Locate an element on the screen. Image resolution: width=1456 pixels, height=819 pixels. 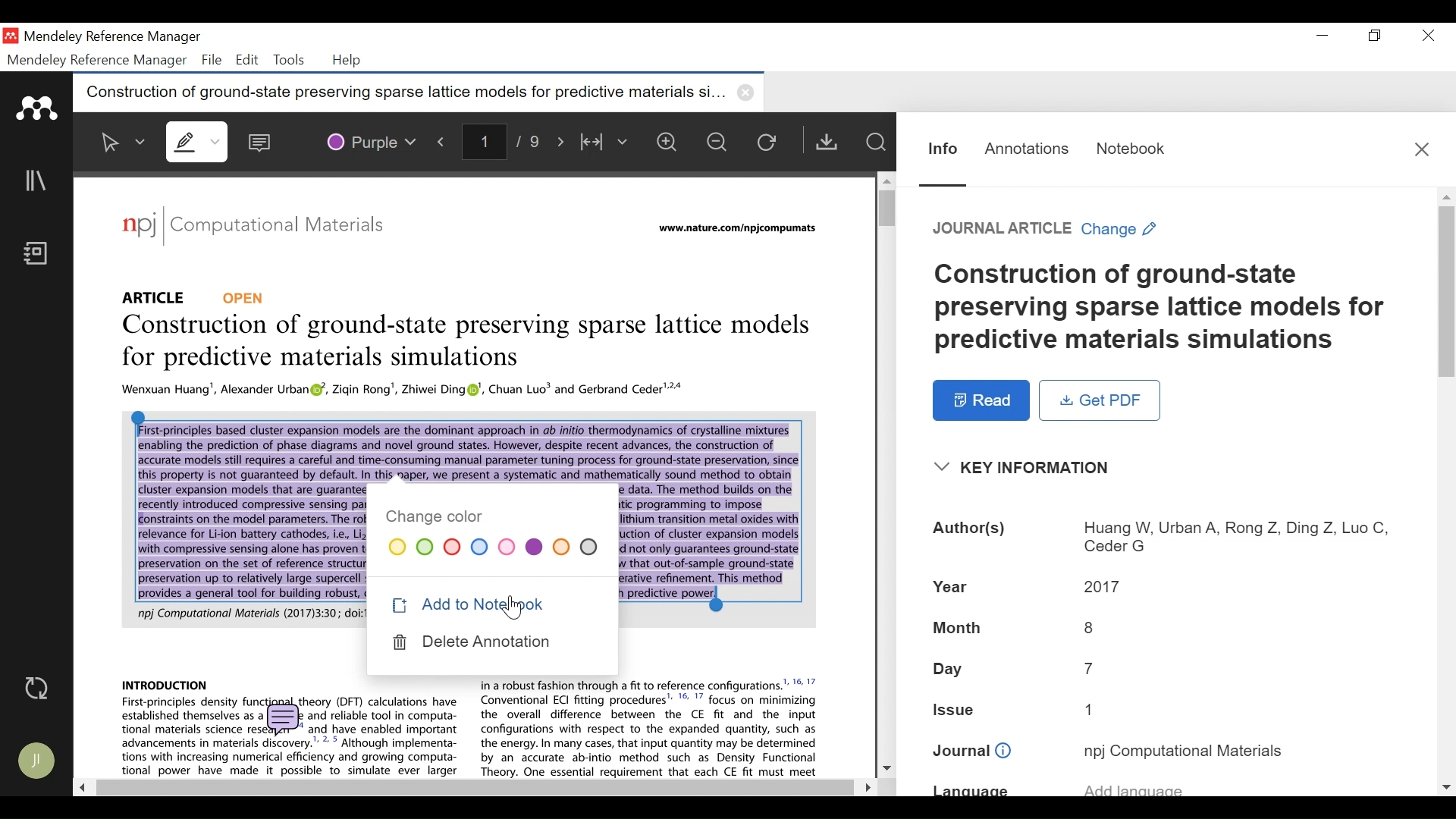
Get PDF is located at coordinates (1100, 400).